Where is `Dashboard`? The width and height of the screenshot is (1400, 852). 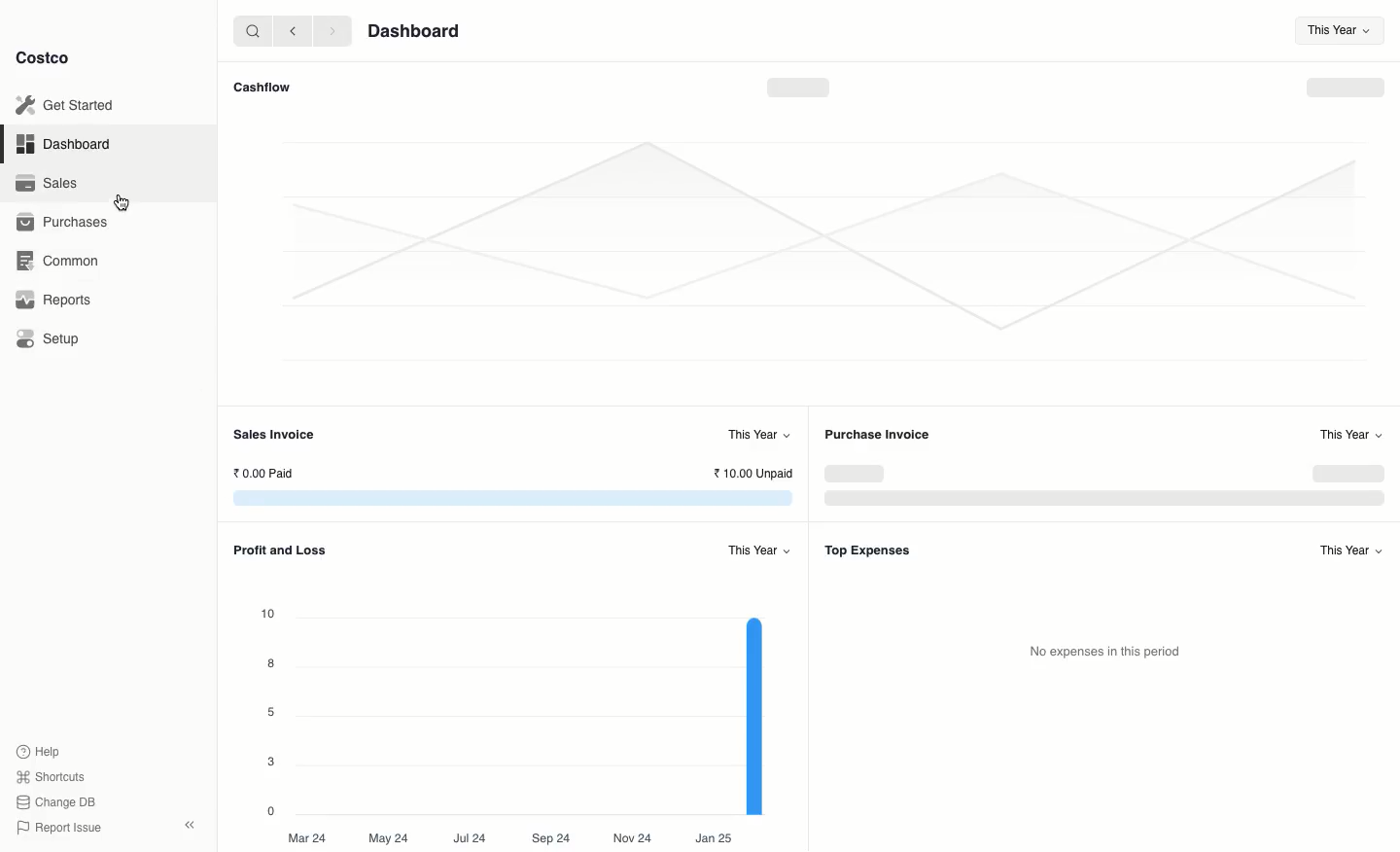 Dashboard is located at coordinates (416, 31).